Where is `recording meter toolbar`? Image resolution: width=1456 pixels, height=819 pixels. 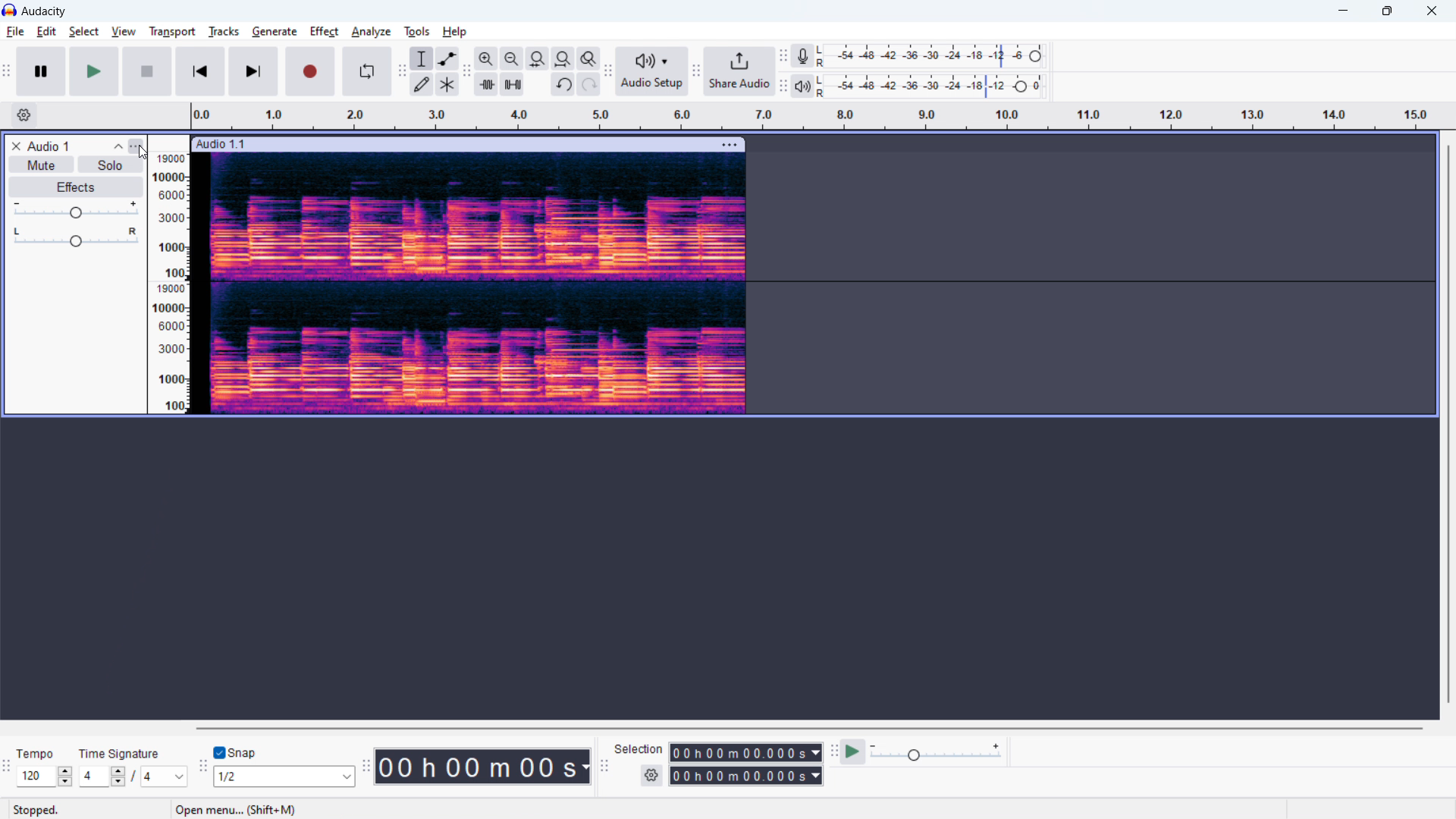
recording meter toolbar is located at coordinates (782, 56).